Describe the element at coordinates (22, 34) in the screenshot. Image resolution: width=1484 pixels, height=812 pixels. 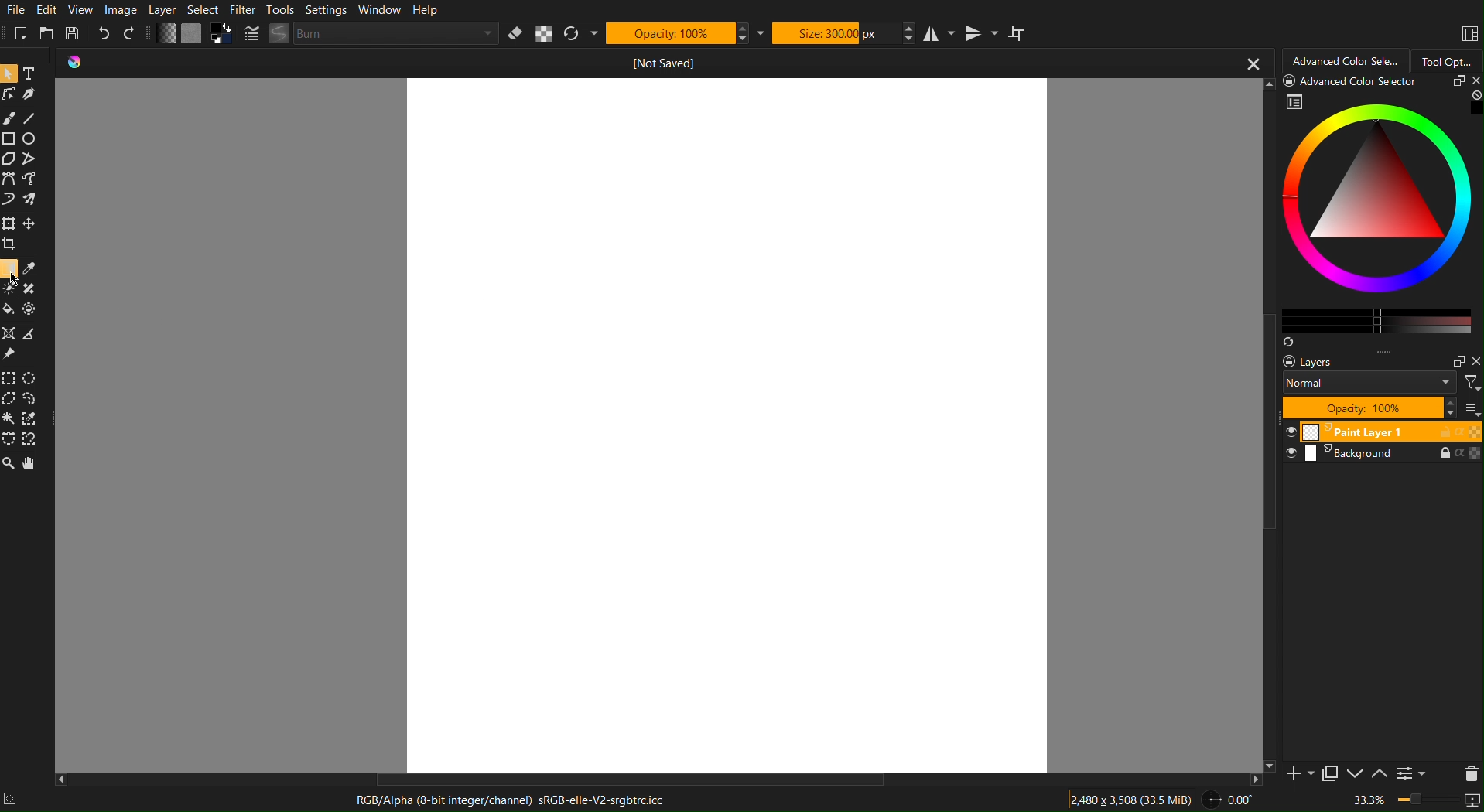
I see `New` at that location.